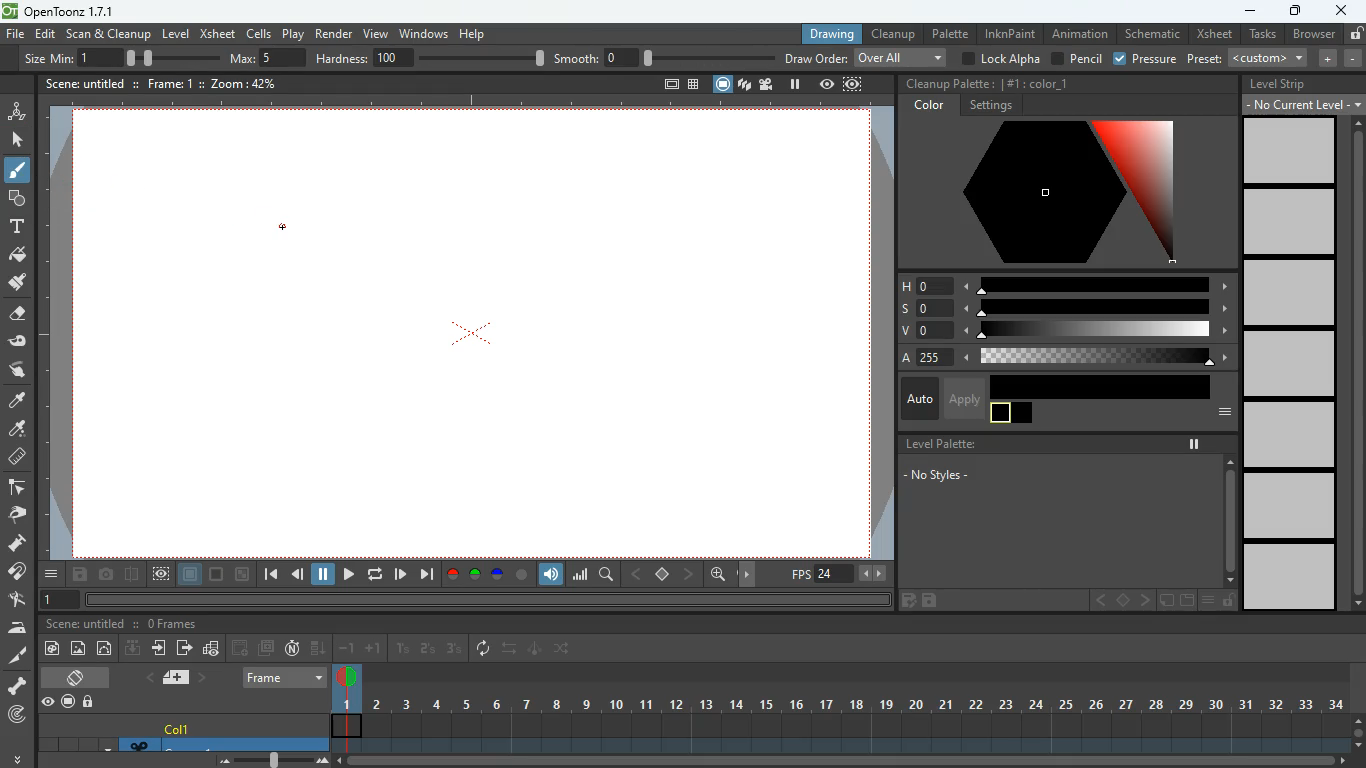 The image size is (1366, 768). Describe the element at coordinates (16, 458) in the screenshot. I see `measure` at that location.